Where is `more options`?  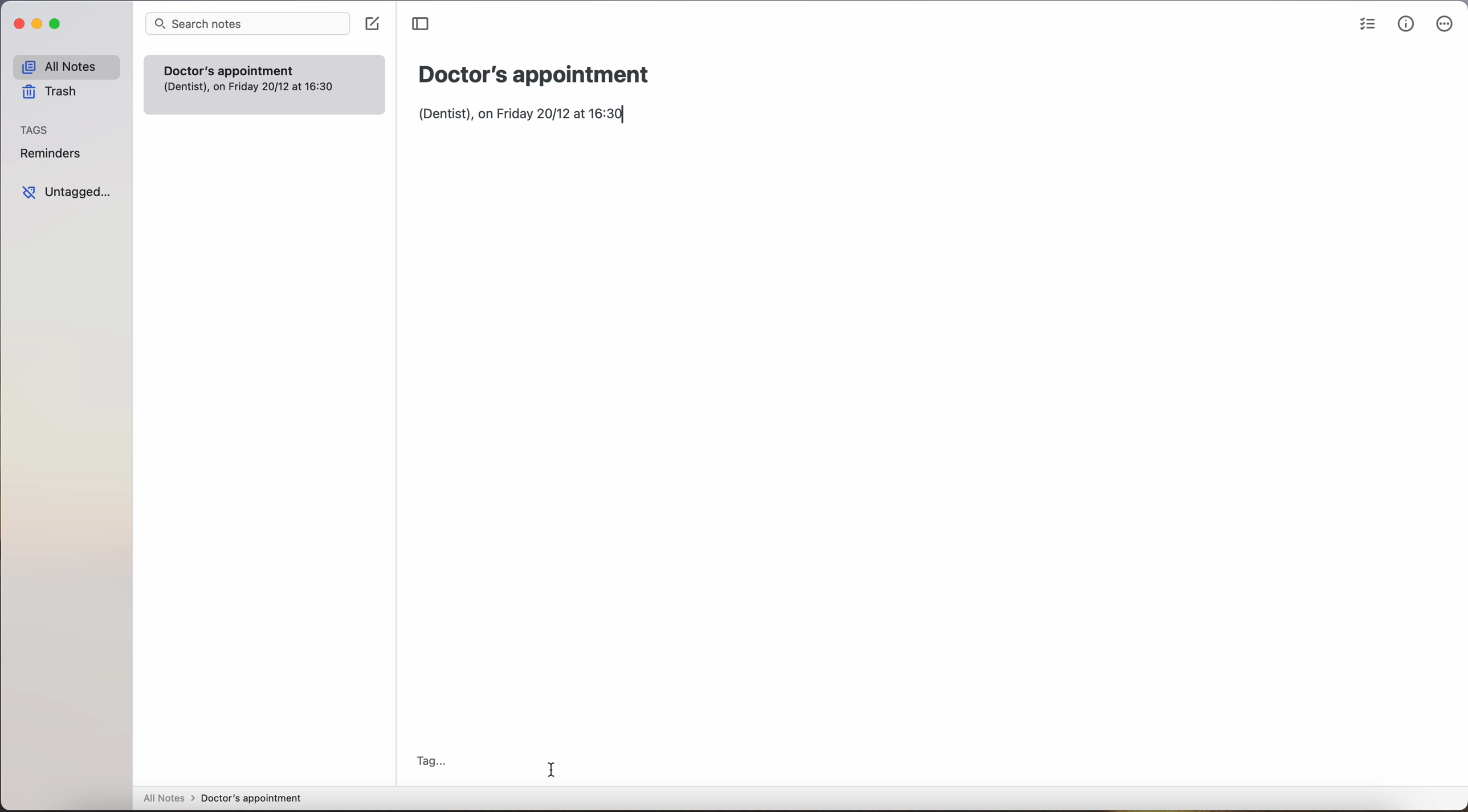
more options is located at coordinates (1444, 24).